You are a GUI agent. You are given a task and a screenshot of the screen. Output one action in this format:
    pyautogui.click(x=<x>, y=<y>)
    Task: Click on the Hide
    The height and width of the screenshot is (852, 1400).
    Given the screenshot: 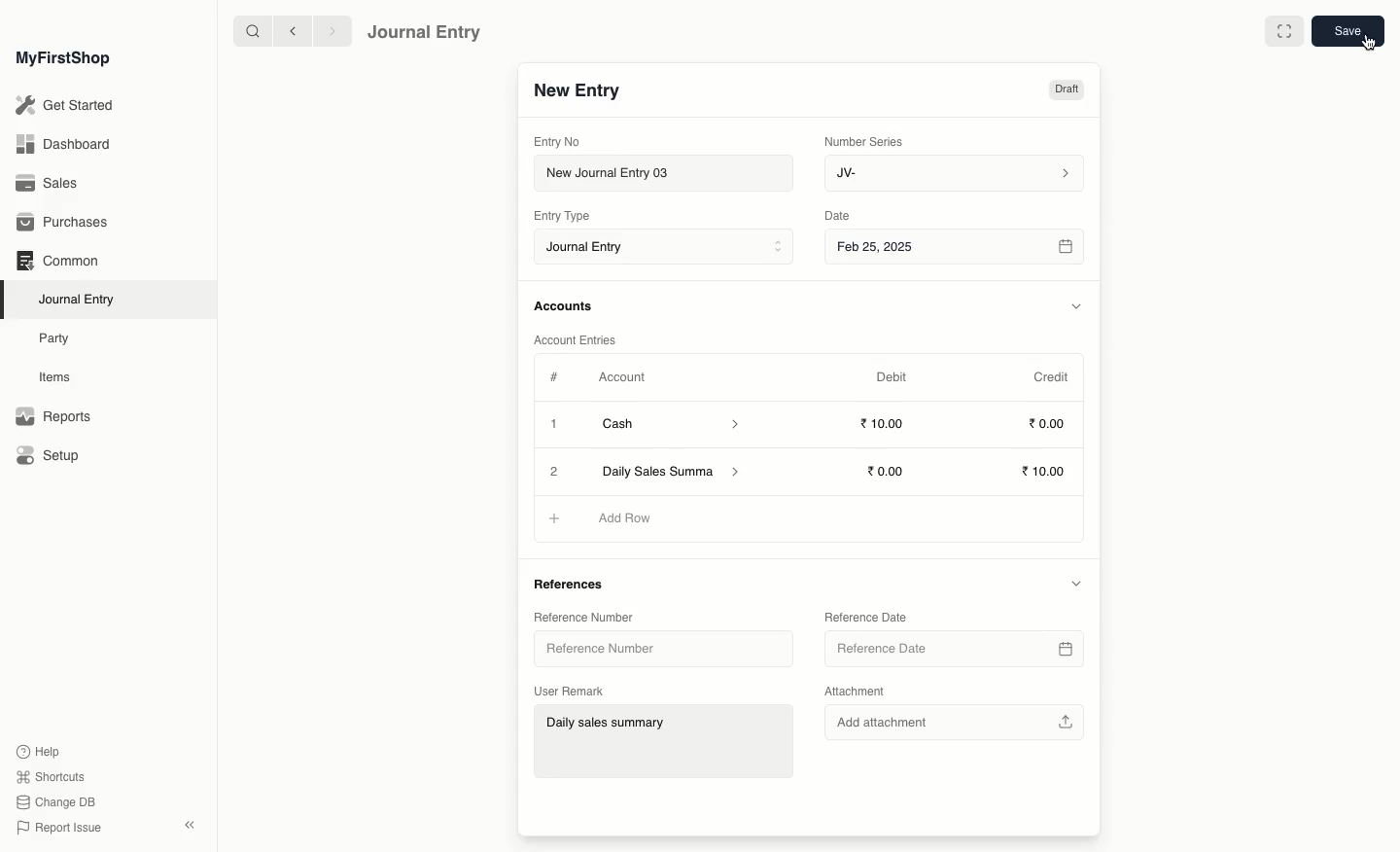 What is the action you would take?
    pyautogui.click(x=1075, y=583)
    